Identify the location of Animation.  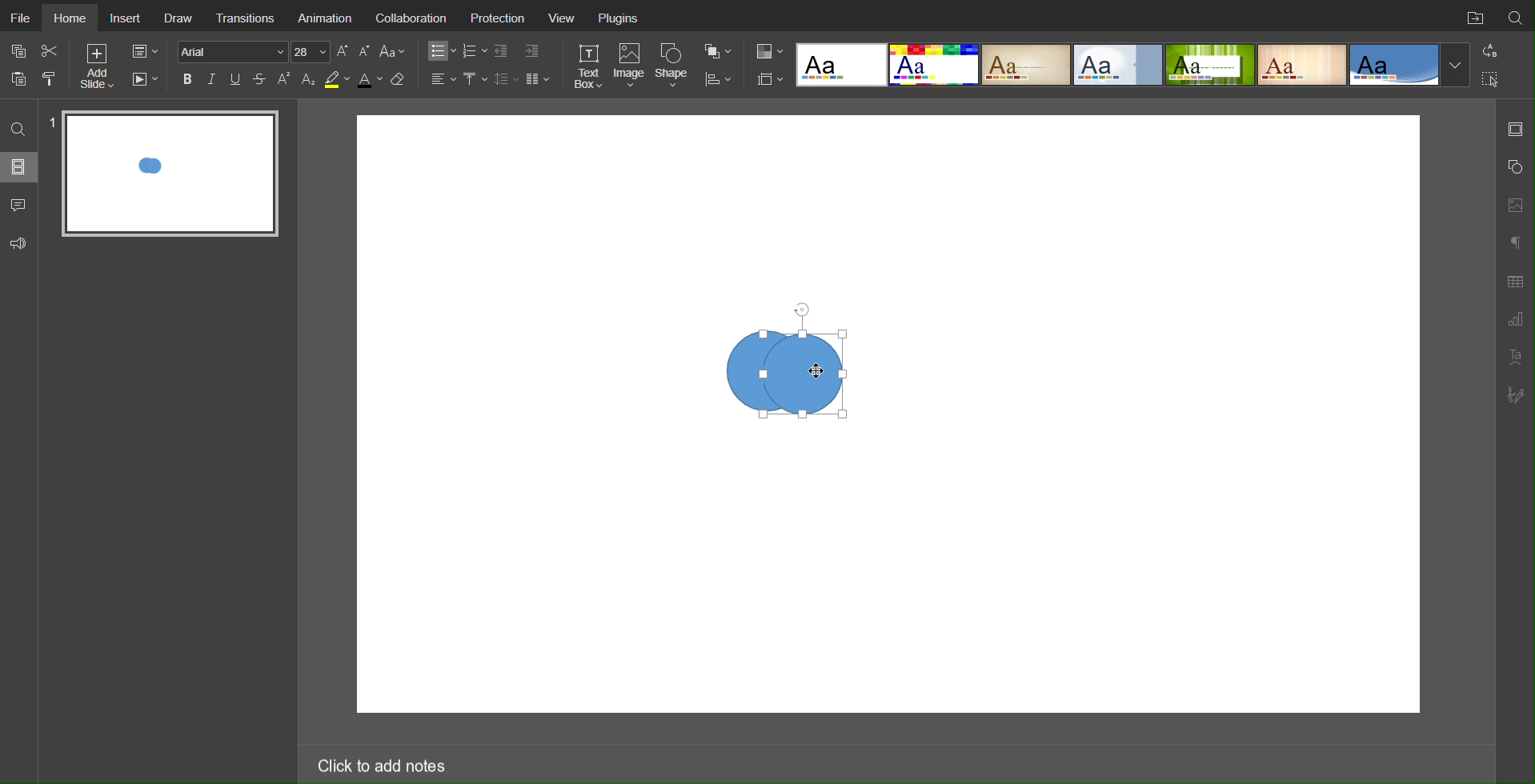
(328, 19).